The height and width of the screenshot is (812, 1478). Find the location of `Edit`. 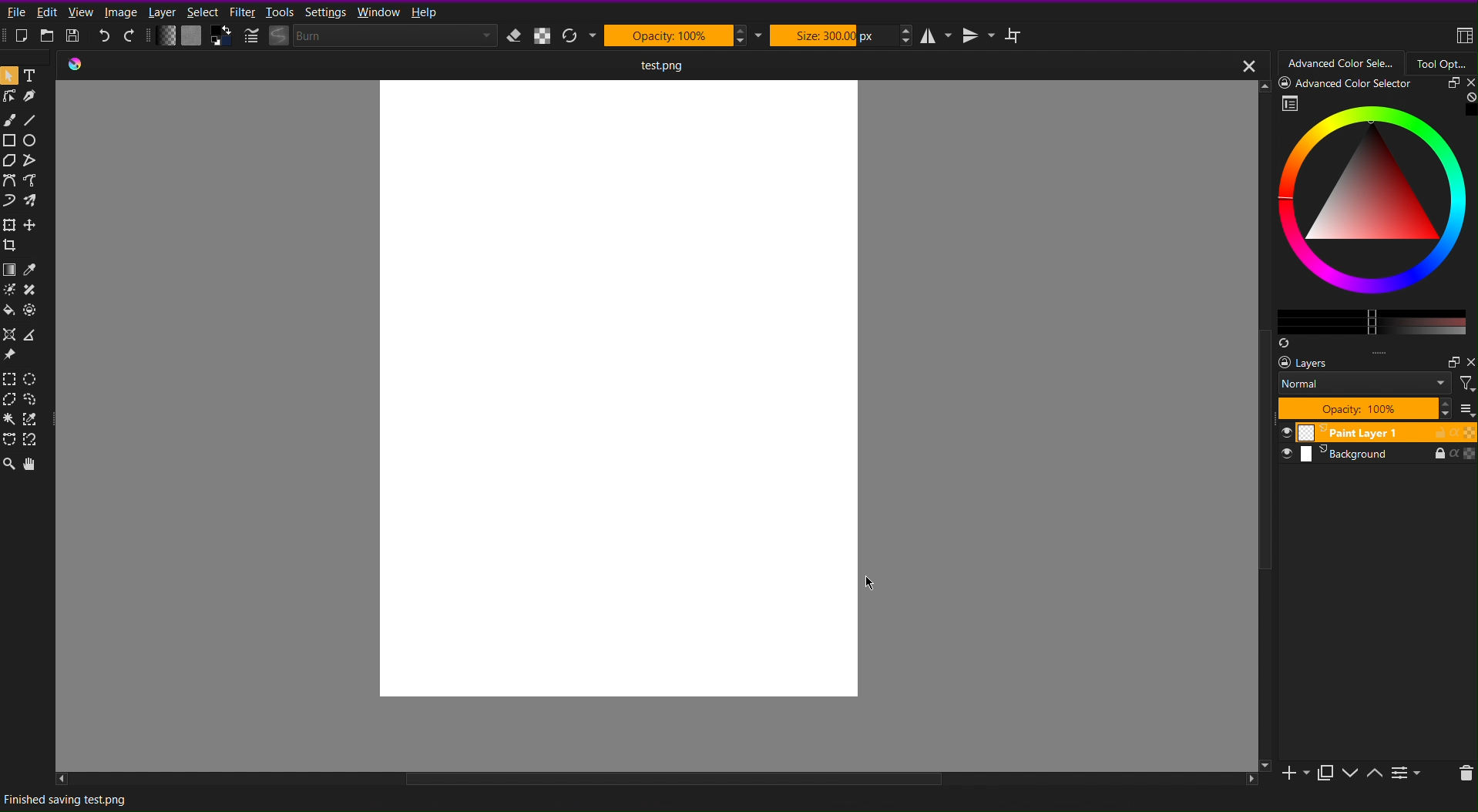

Edit is located at coordinates (49, 15).